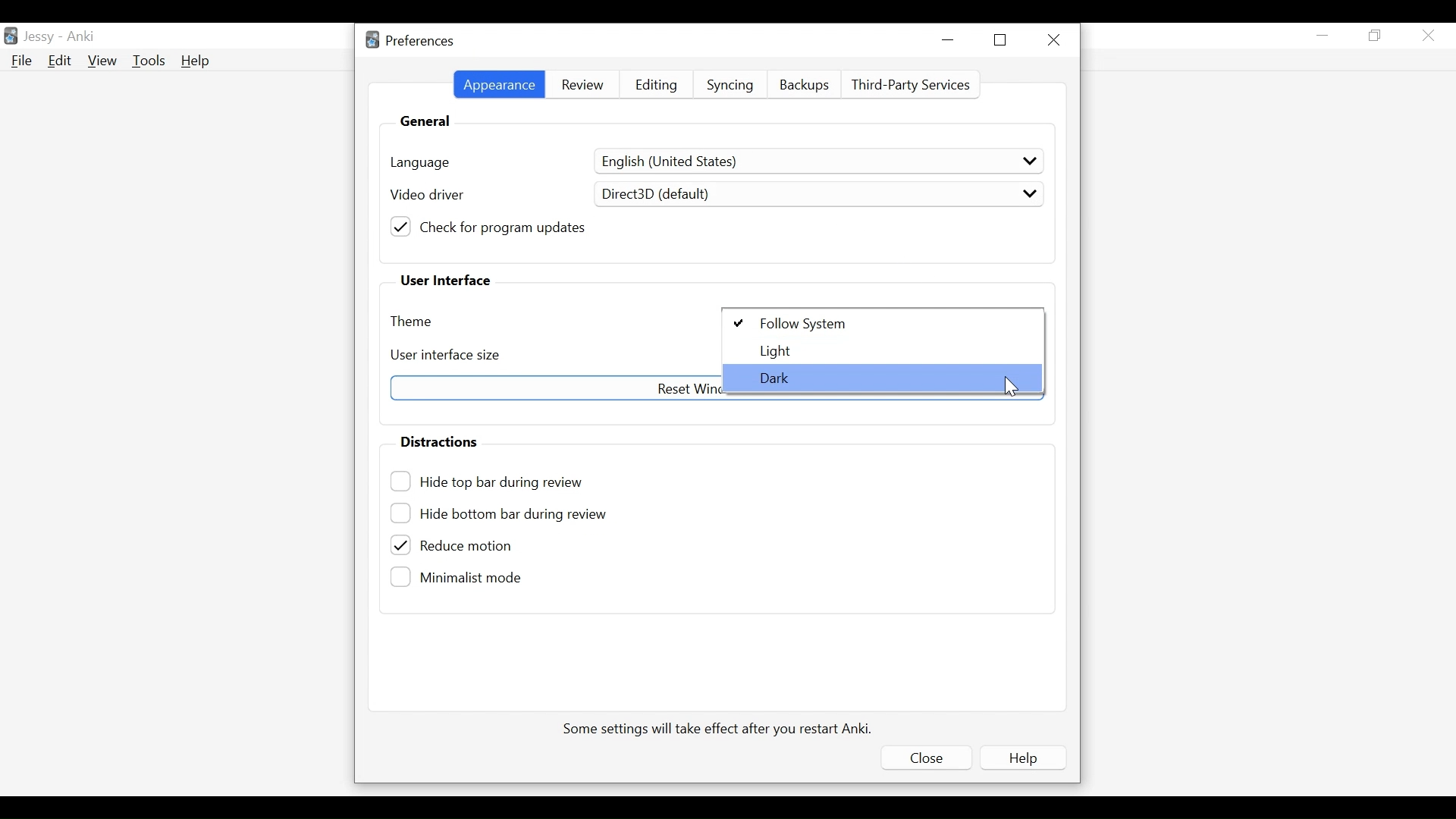 Image resolution: width=1456 pixels, height=819 pixels. I want to click on Theme, so click(416, 322).